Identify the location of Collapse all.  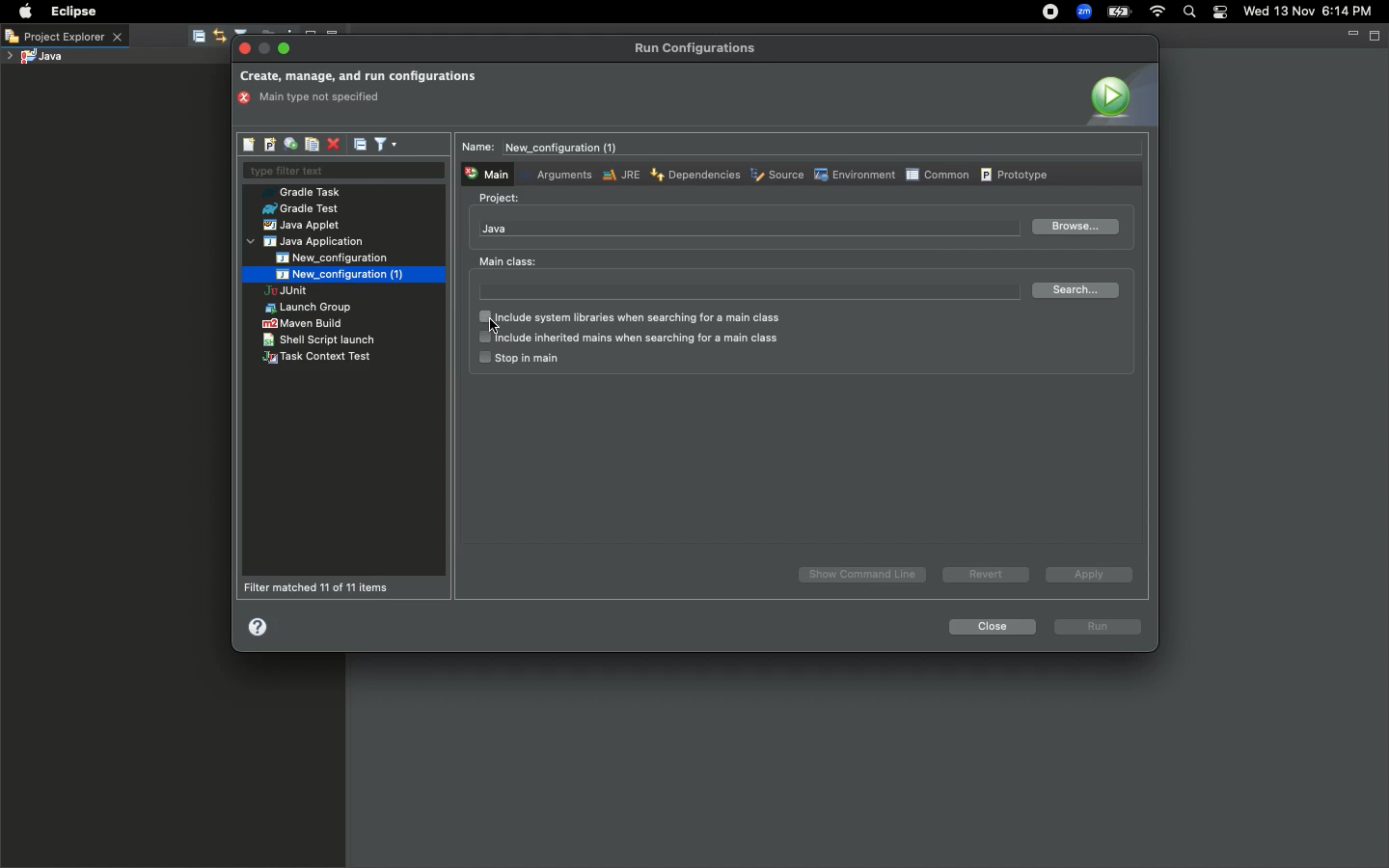
(361, 144).